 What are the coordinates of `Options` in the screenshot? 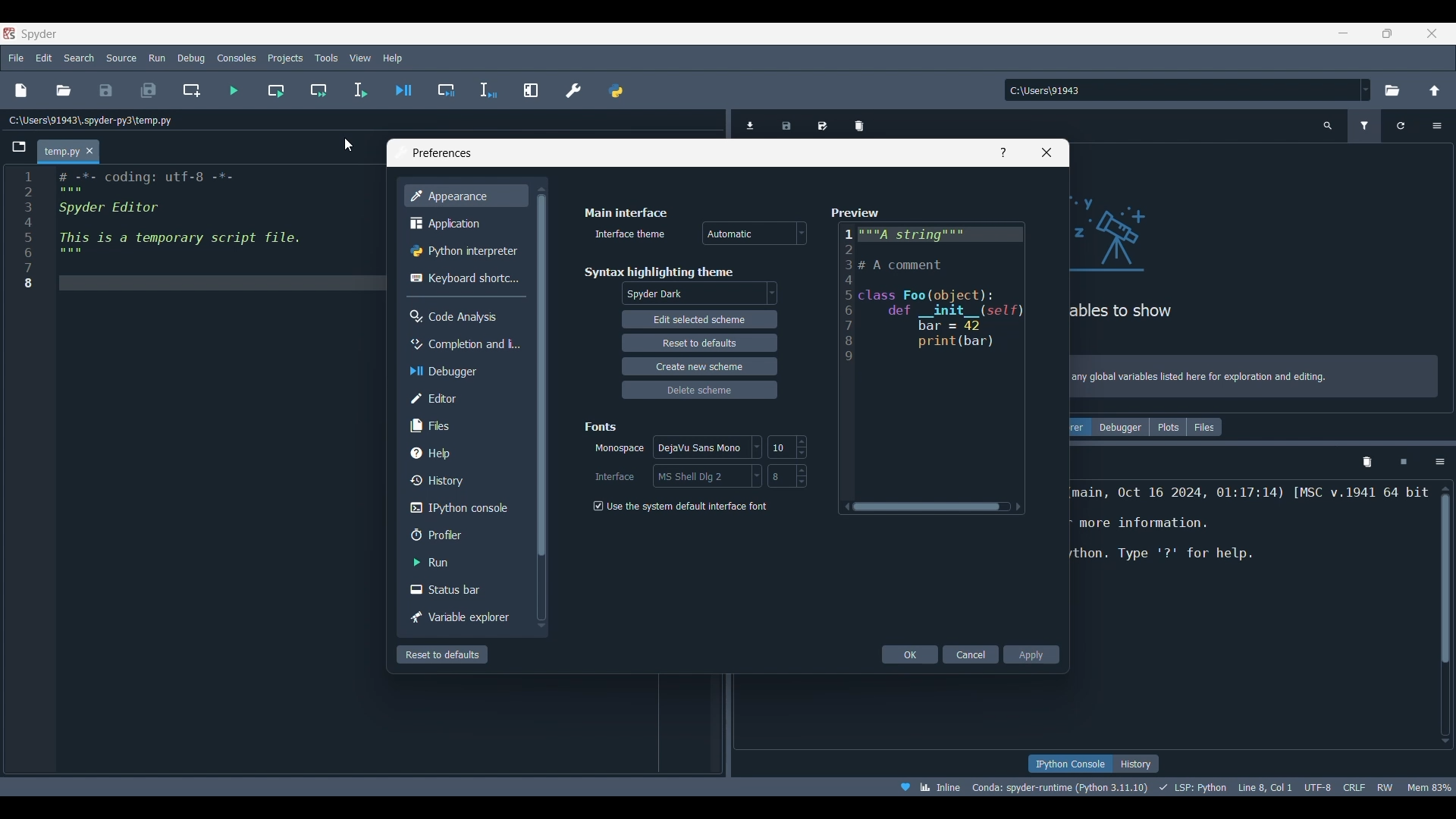 It's located at (1437, 126).